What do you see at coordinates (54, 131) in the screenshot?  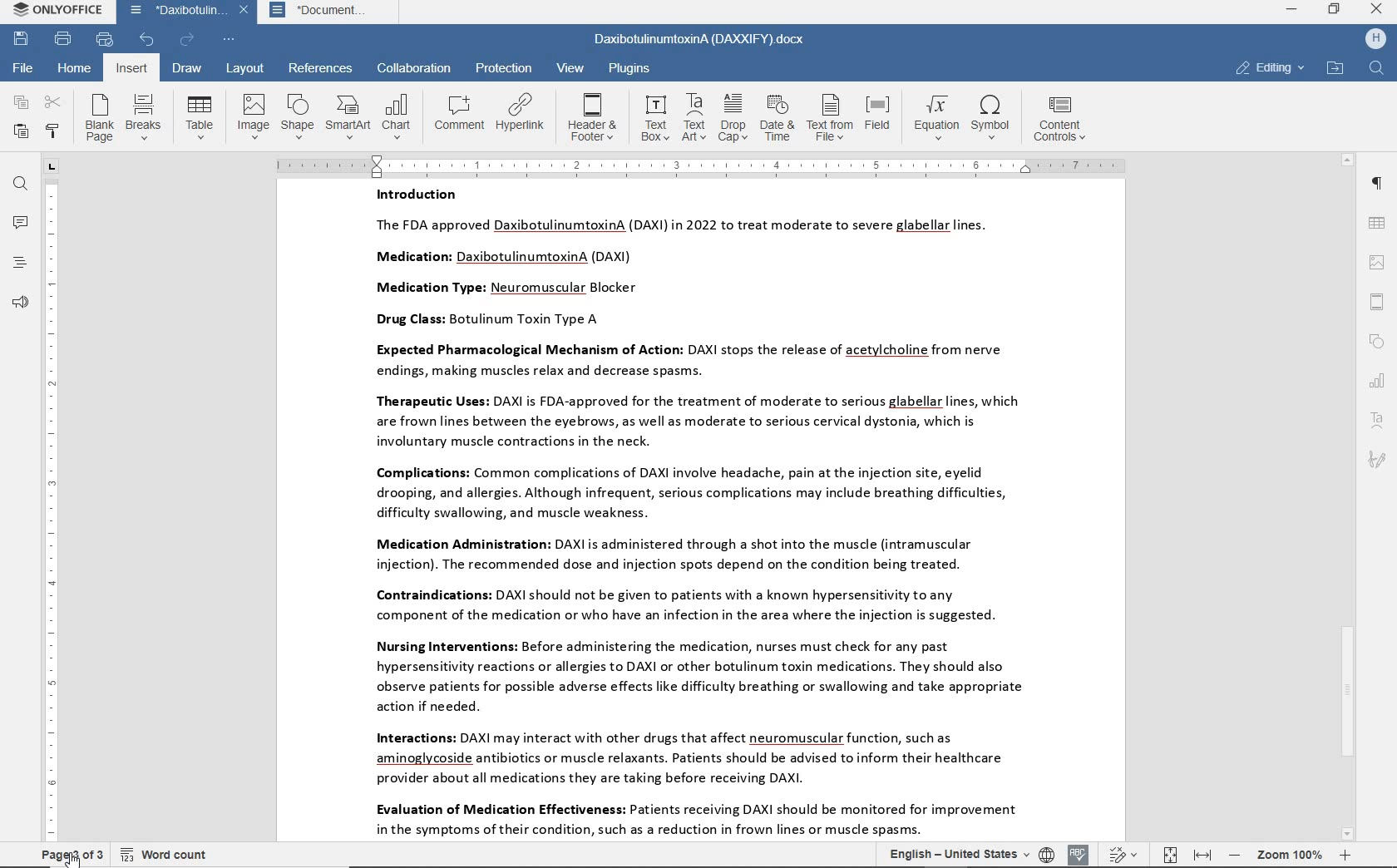 I see `copy style` at bounding box center [54, 131].